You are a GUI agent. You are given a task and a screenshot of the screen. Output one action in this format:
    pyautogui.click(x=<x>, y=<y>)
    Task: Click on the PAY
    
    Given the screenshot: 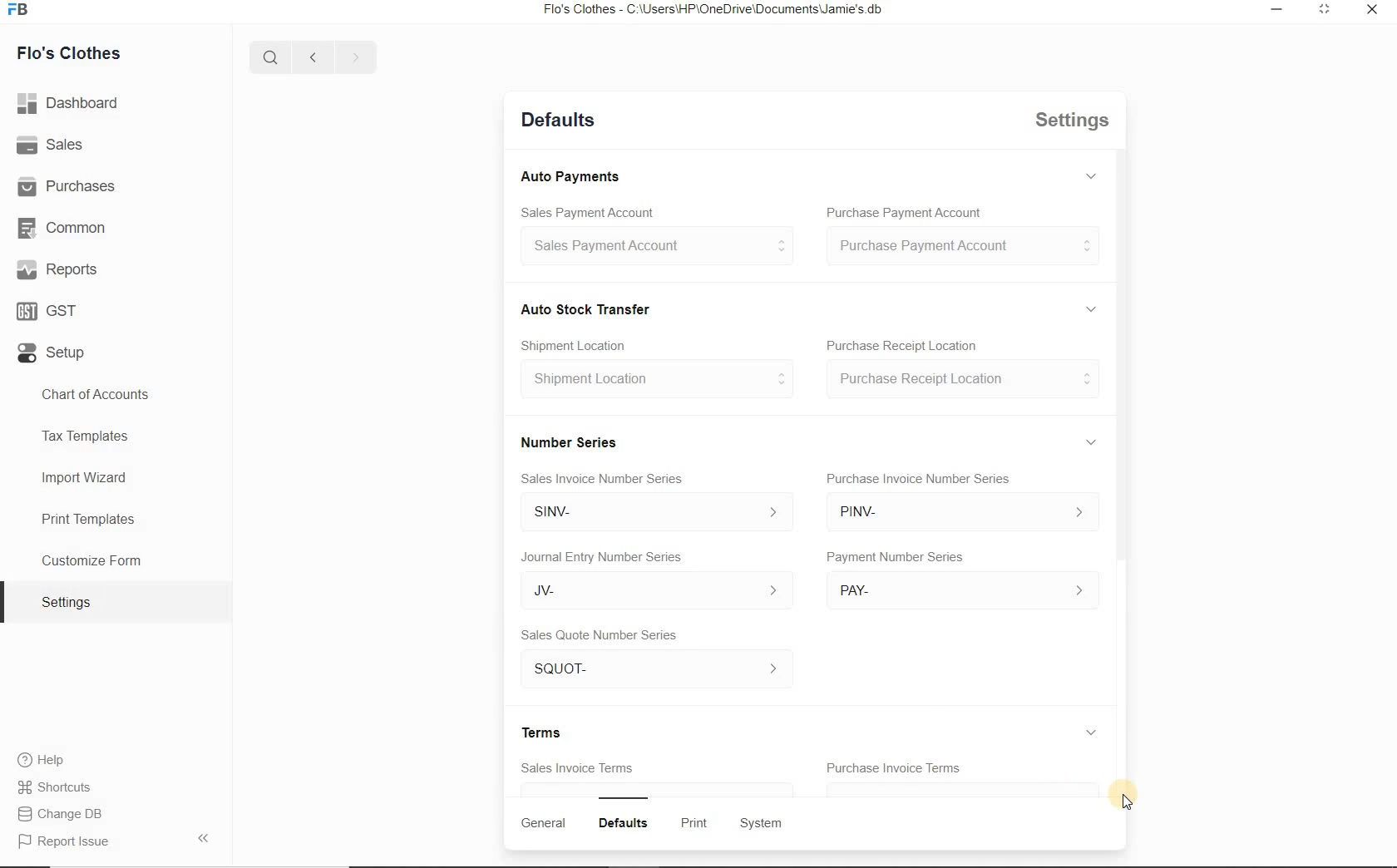 What is the action you would take?
    pyautogui.click(x=960, y=594)
    